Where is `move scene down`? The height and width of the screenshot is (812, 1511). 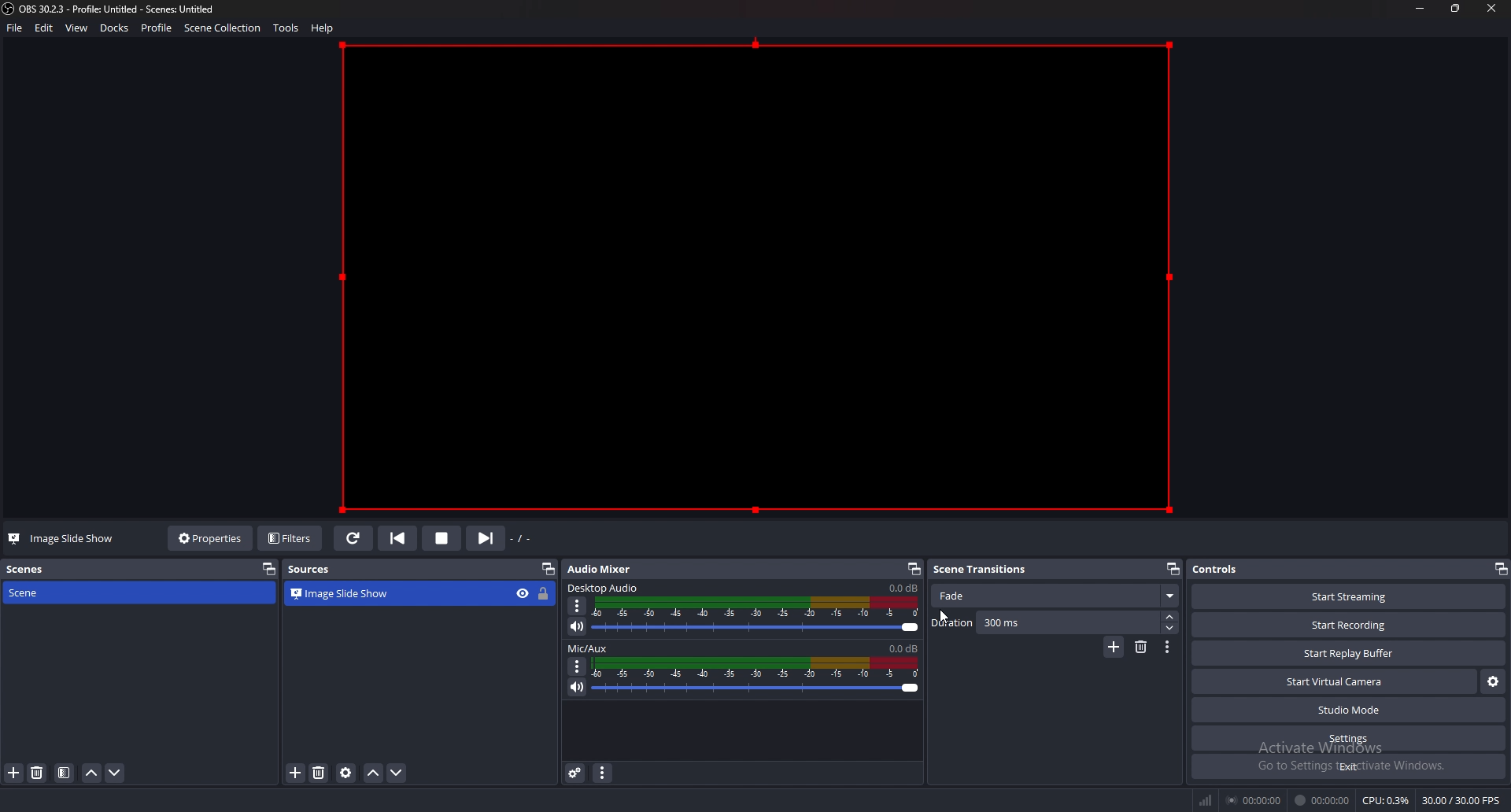 move scene down is located at coordinates (115, 773).